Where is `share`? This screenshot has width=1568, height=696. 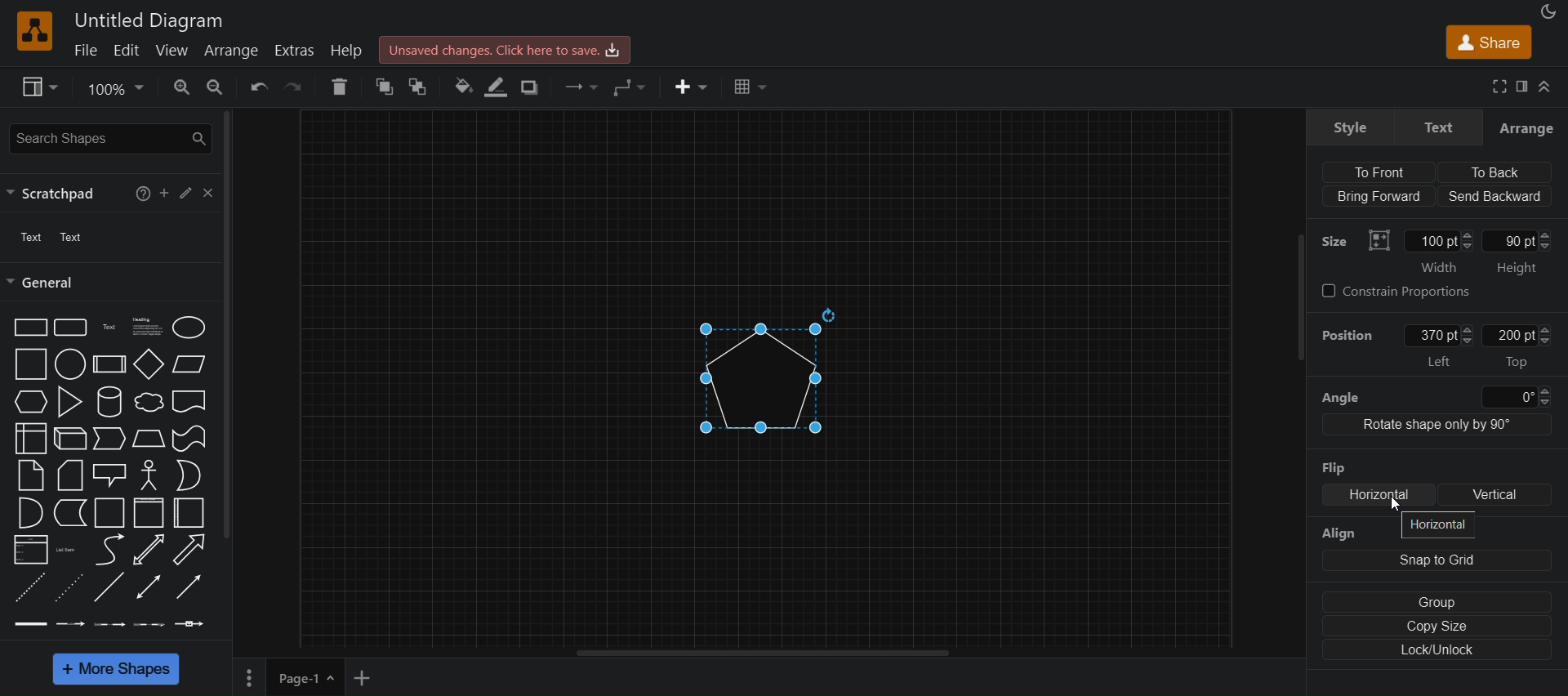 share is located at coordinates (1489, 42).